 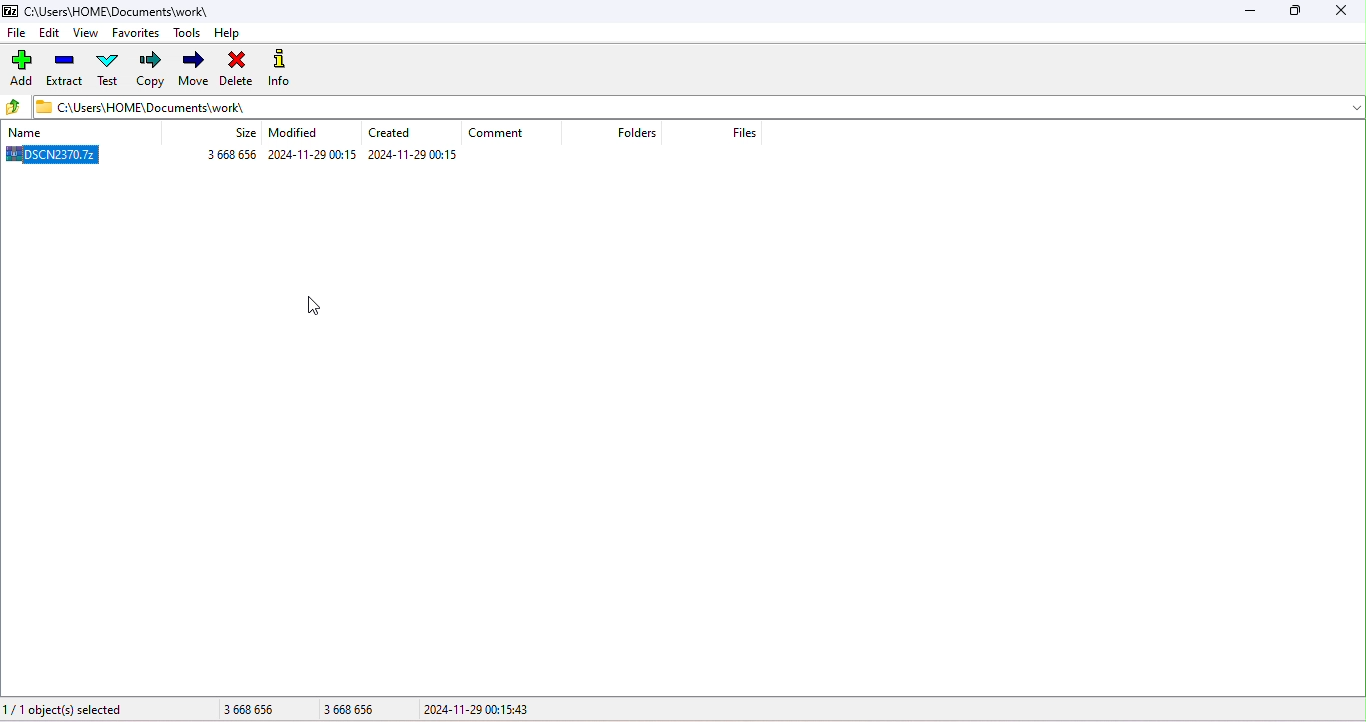 I want to click on creation date, so click(x=394, y=134).